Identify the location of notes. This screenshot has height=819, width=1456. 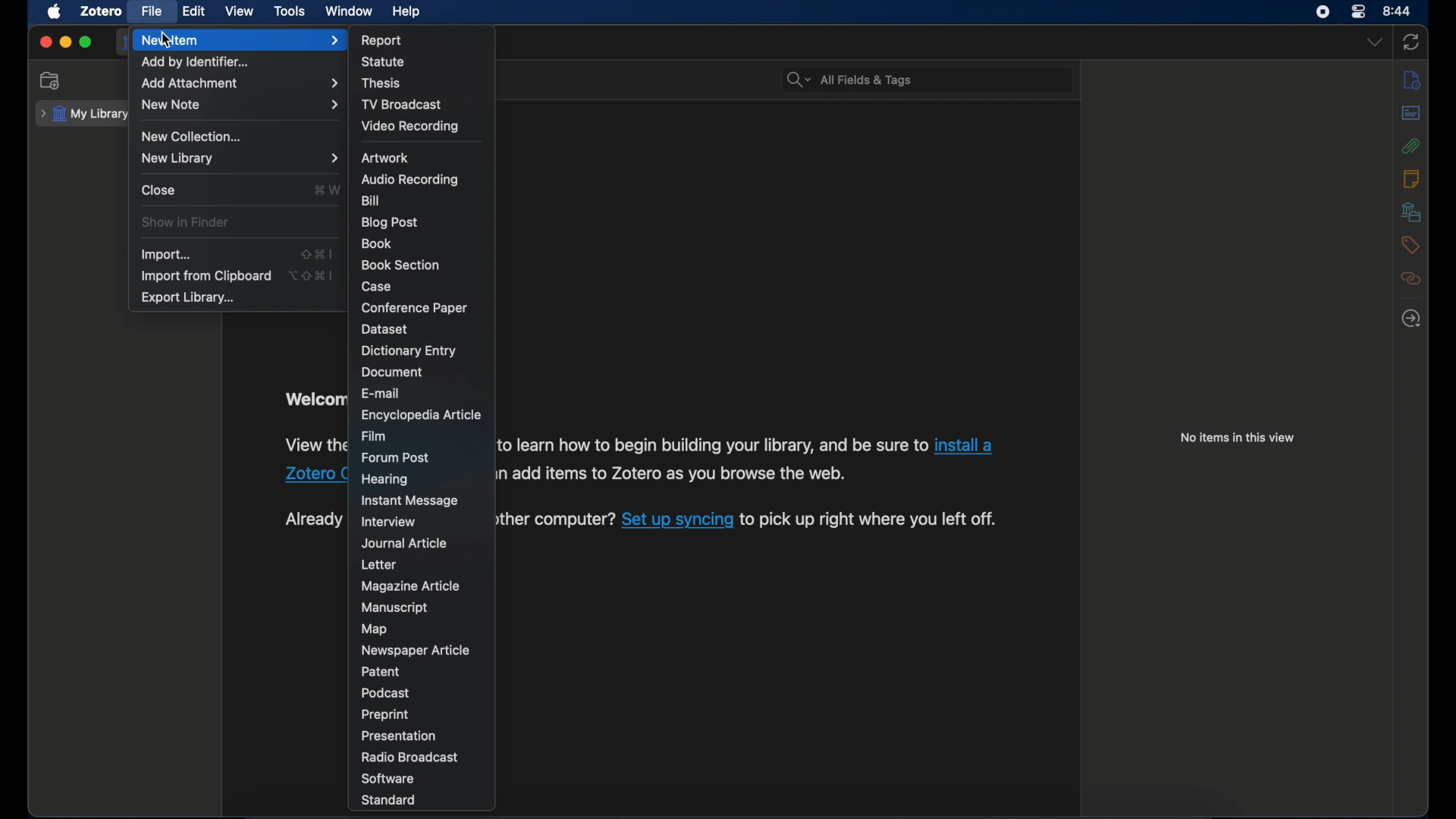
(1409, 178).